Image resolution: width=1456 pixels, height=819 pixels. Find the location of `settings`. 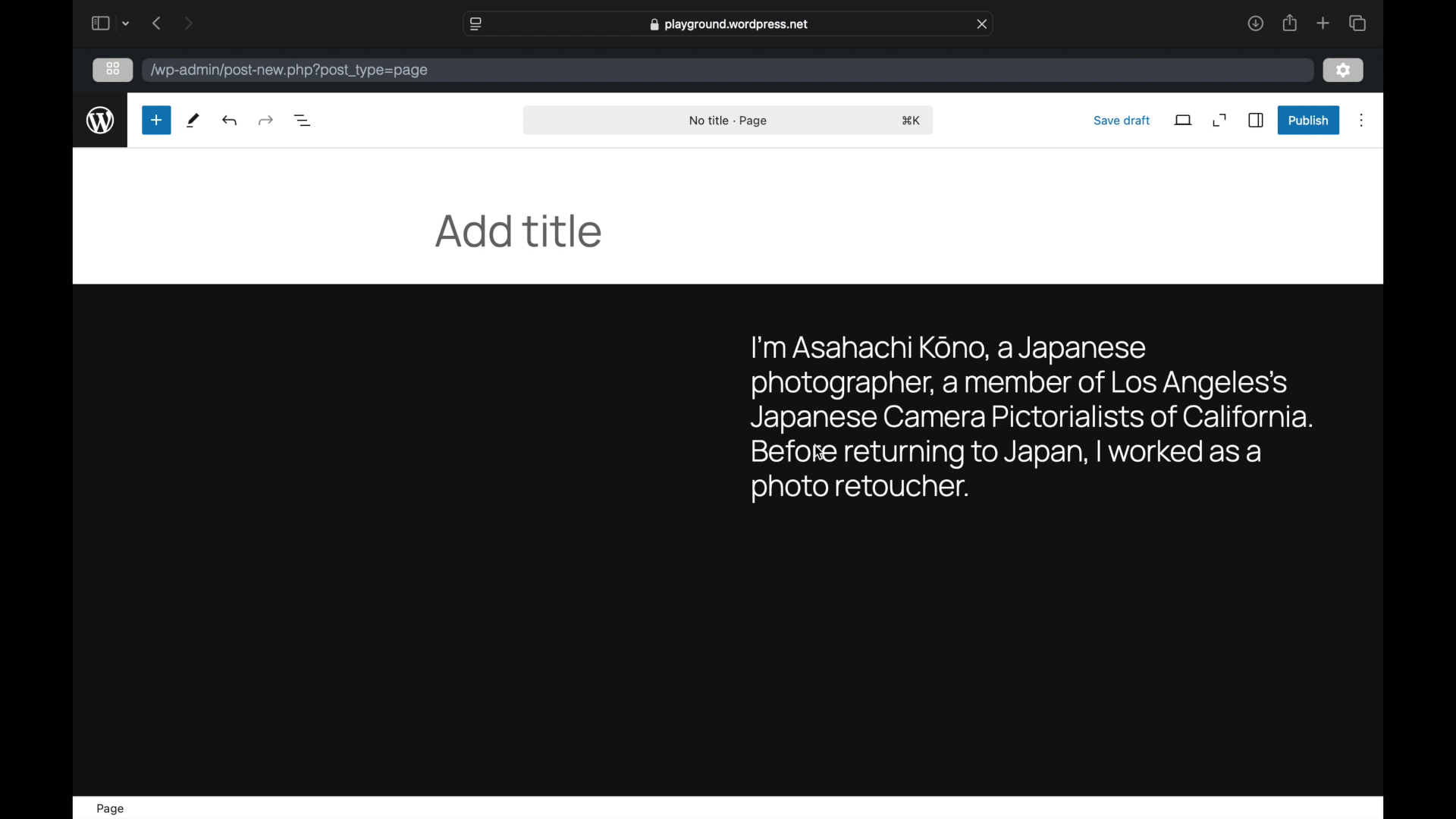

settings is located at coordinates (1344, 71).